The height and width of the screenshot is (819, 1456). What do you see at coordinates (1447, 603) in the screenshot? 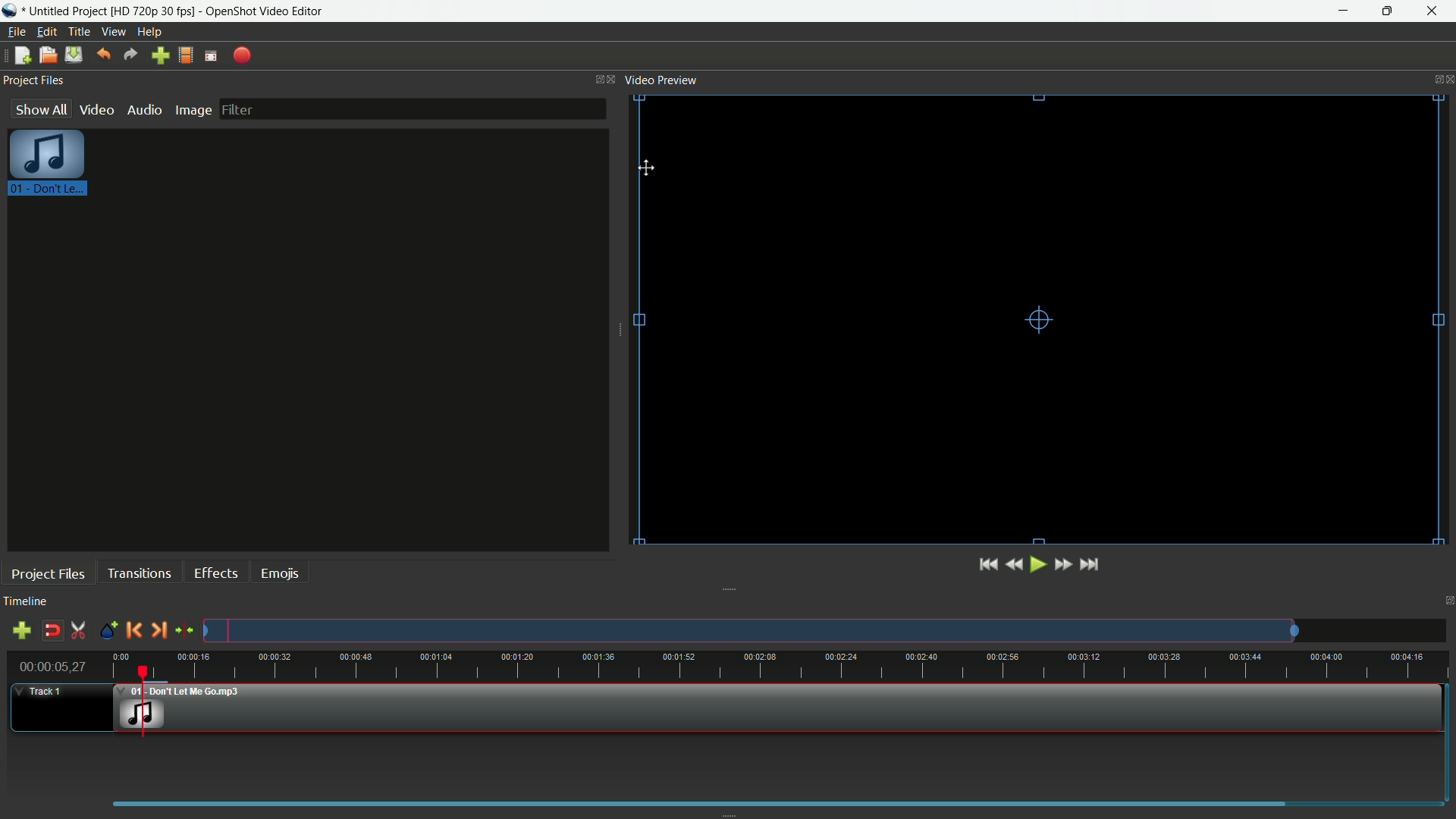
I see `close timeline` at bounding box center [1447, 603].